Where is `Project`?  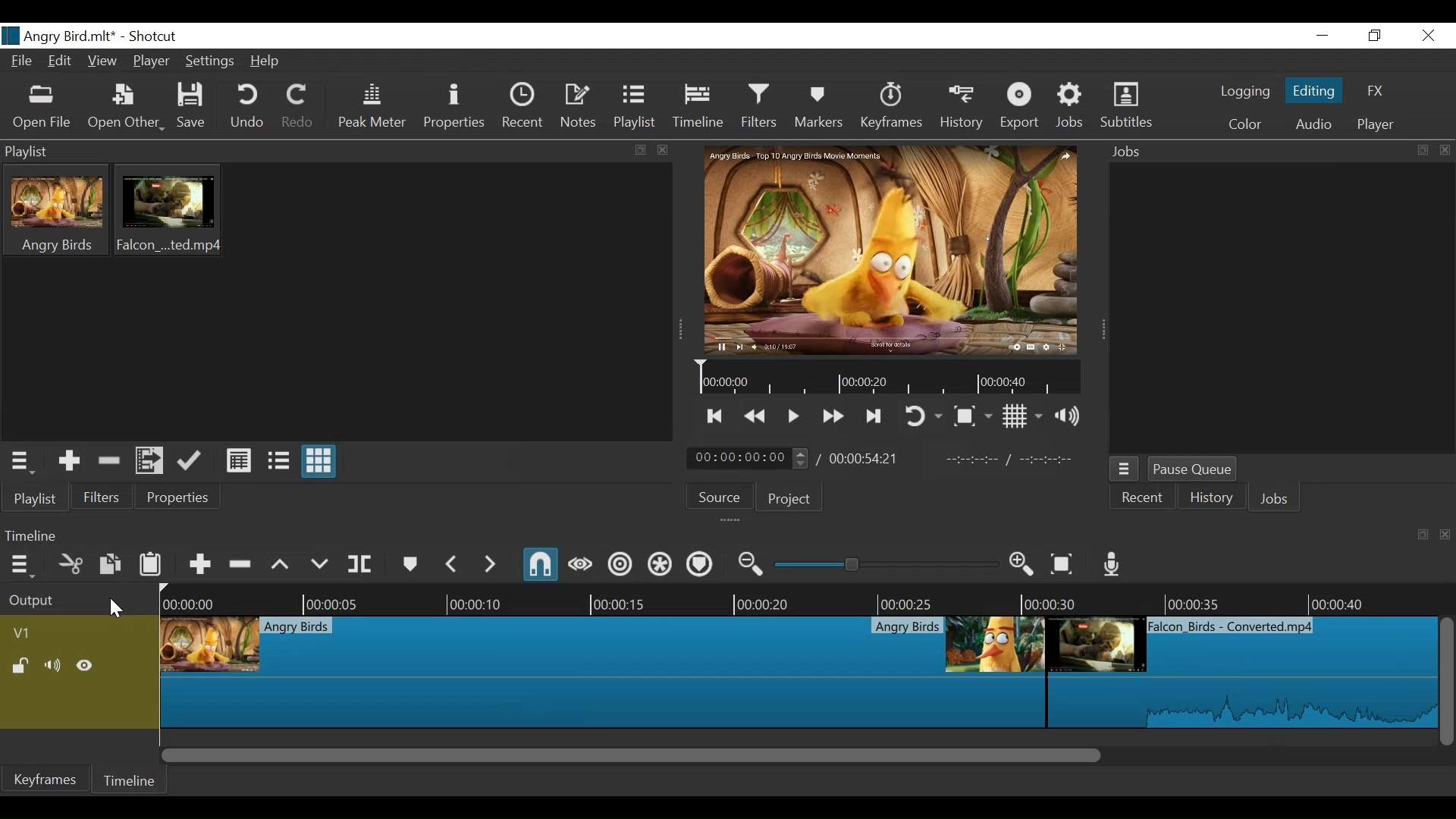 Project is located at coordinates (788, 500).